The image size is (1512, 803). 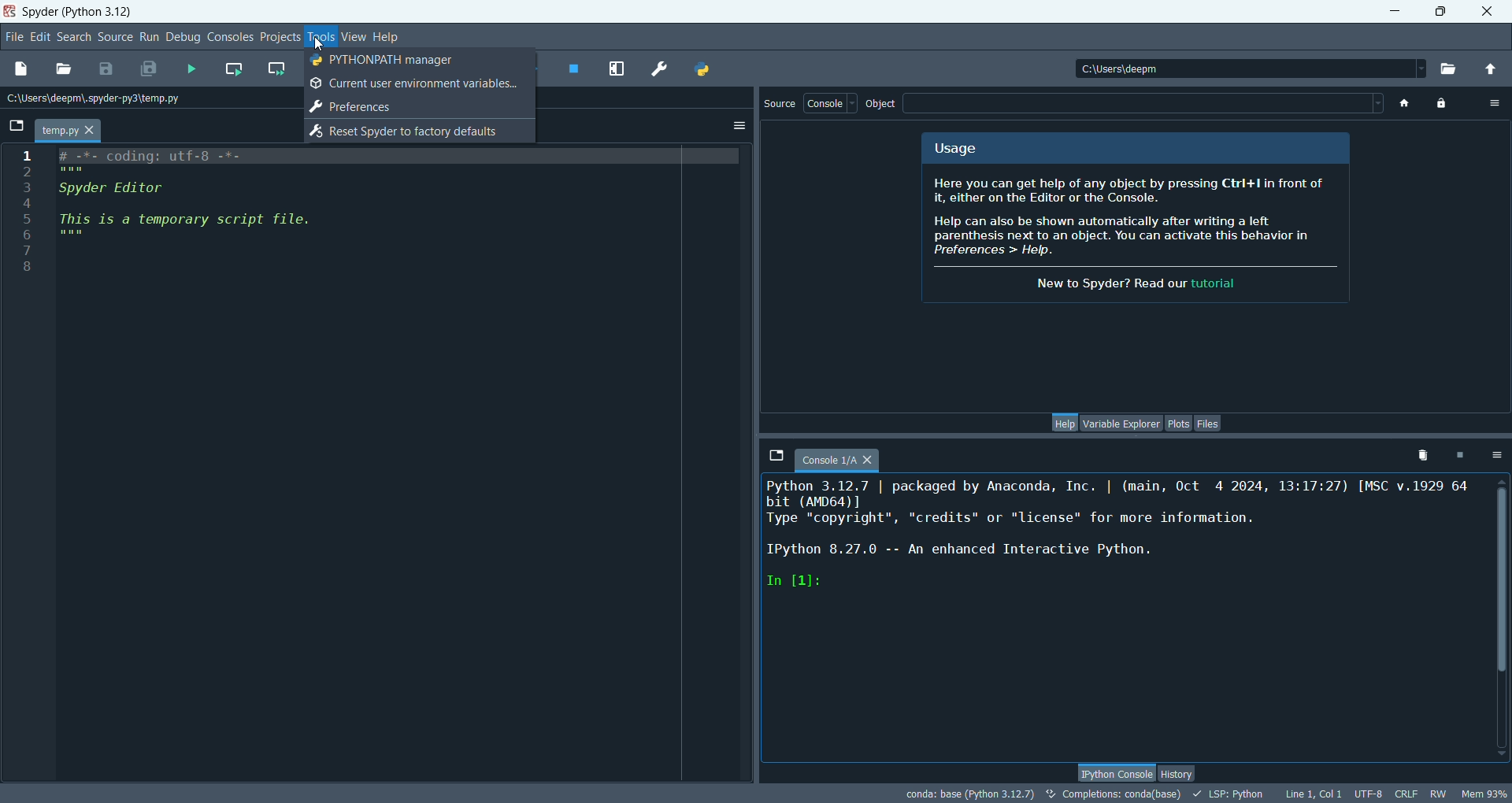 I want to click on line, col, so click(x=1313, y=794).